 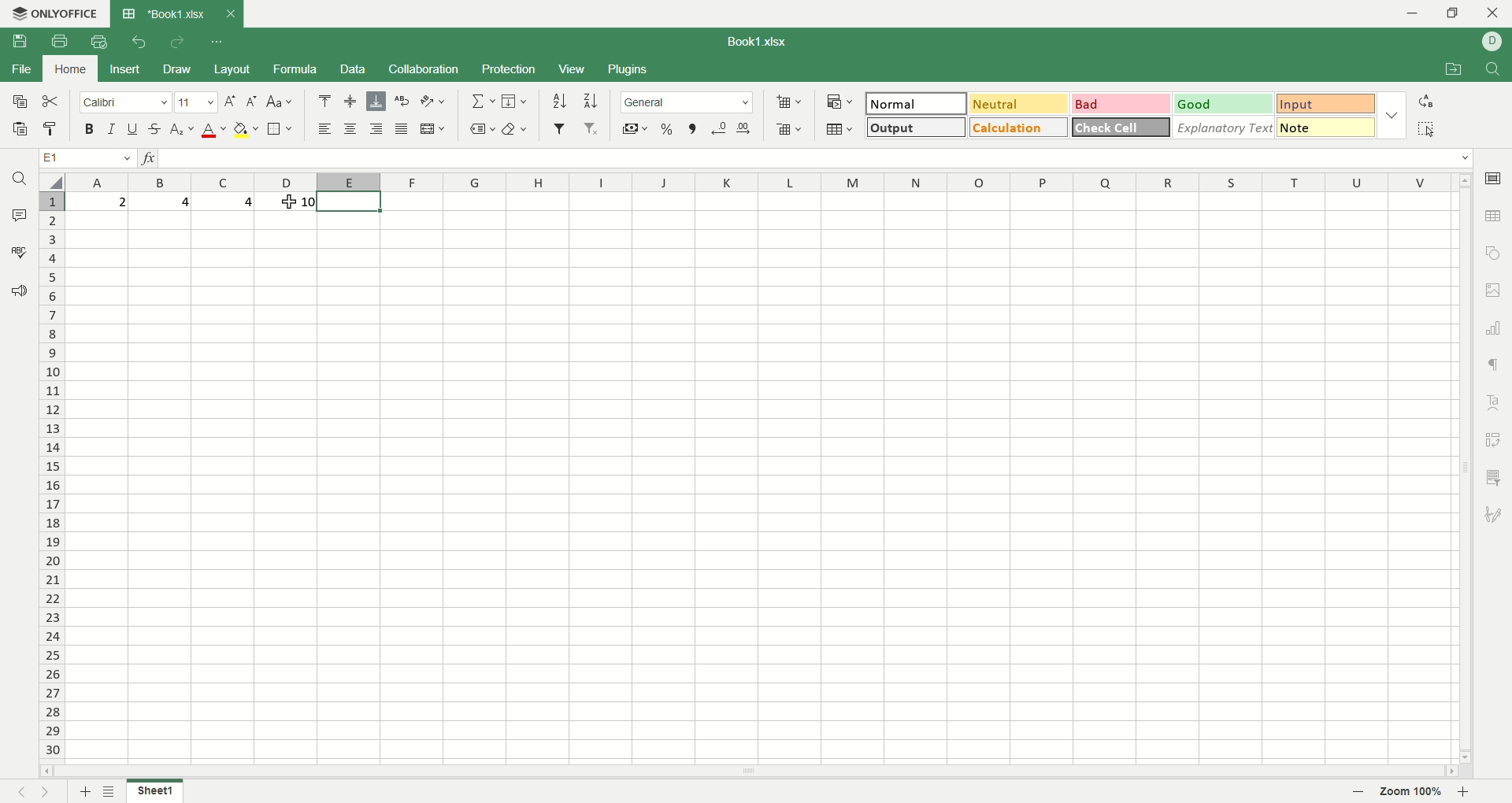 What do you see at coordinates (46, 792) in the screenshot?
I see `next sheet` at bounding box center [46, 792].